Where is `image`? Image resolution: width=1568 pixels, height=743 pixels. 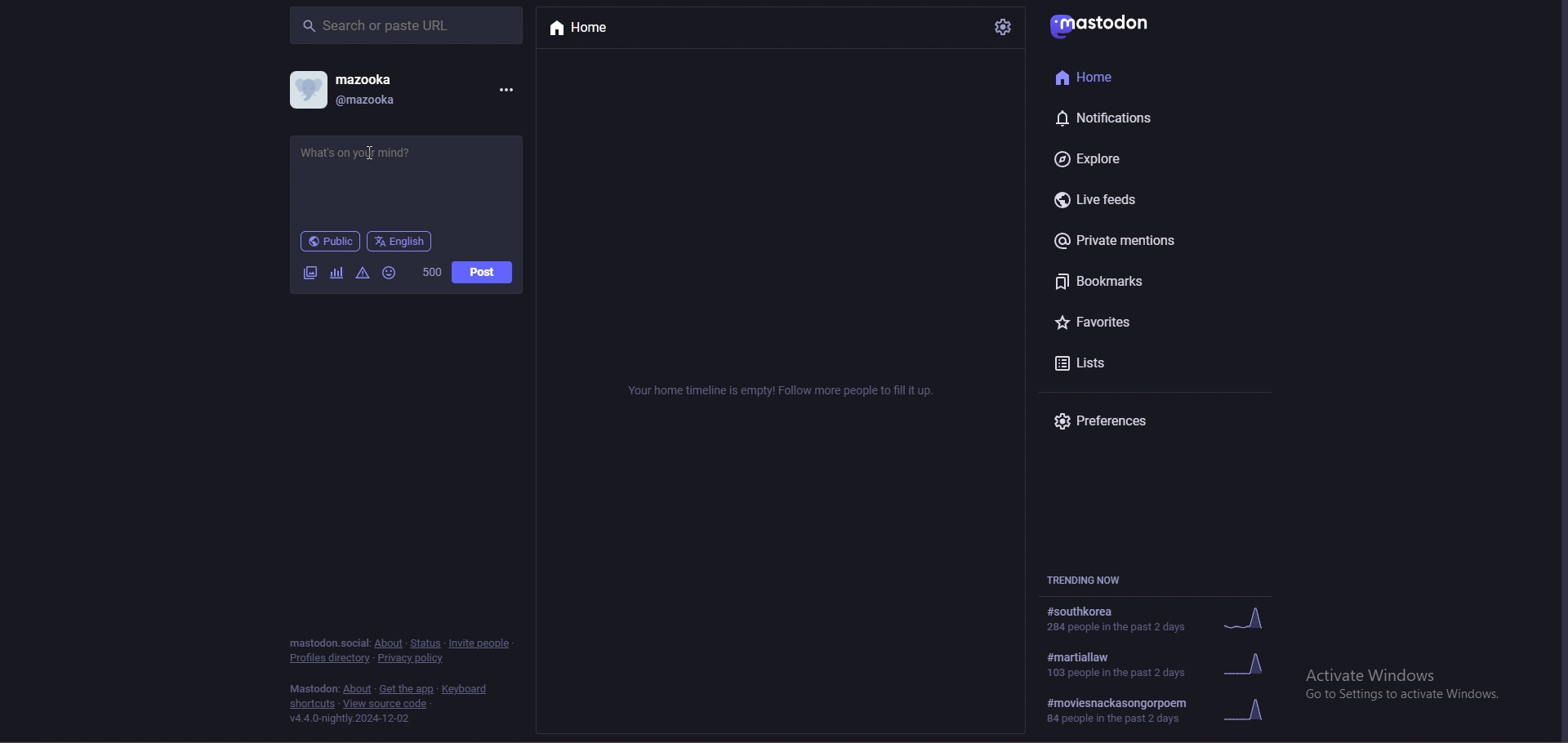
image is located at coordinates (307, 274).